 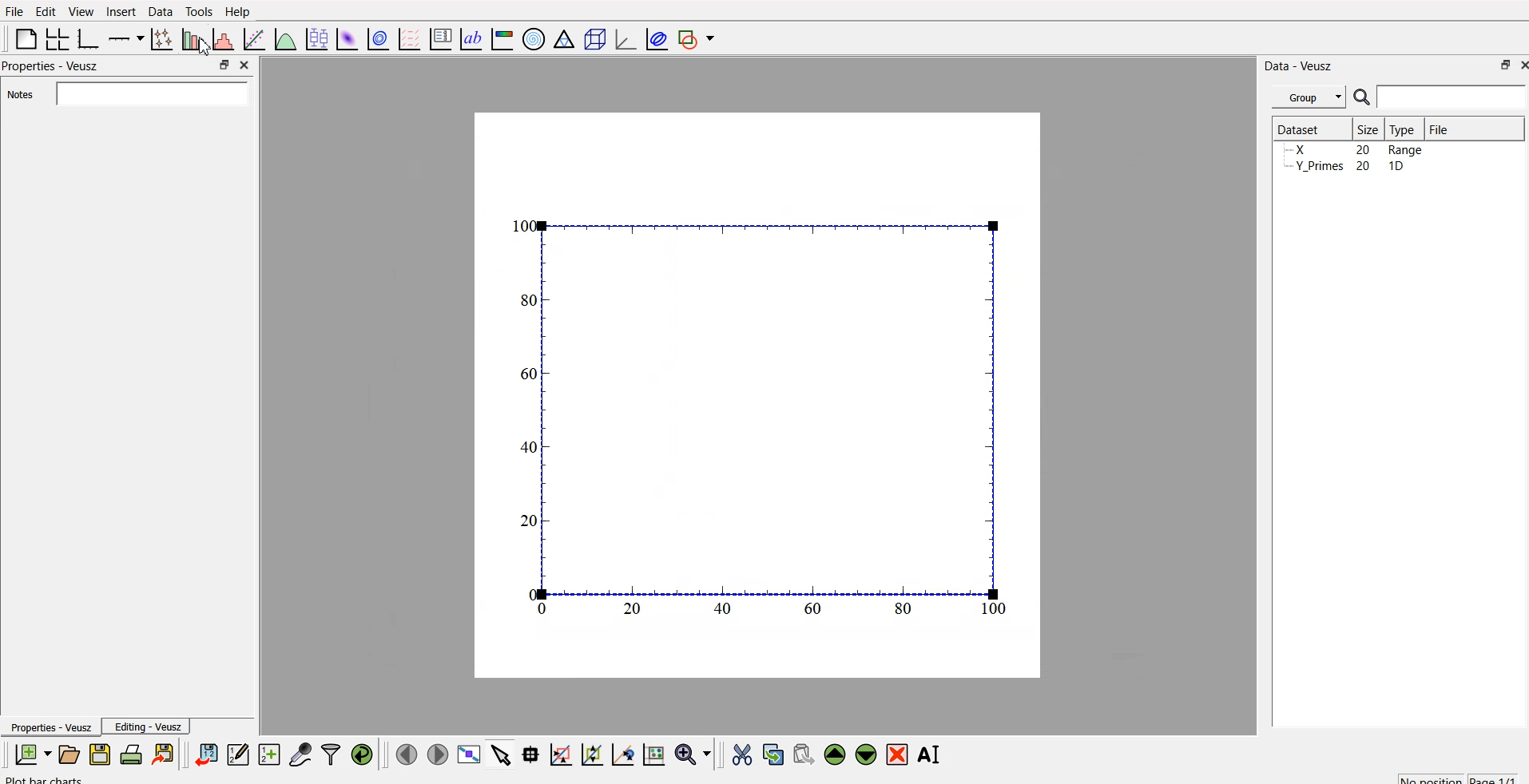 I want to click on search bar, so click(x=1452, y=97).